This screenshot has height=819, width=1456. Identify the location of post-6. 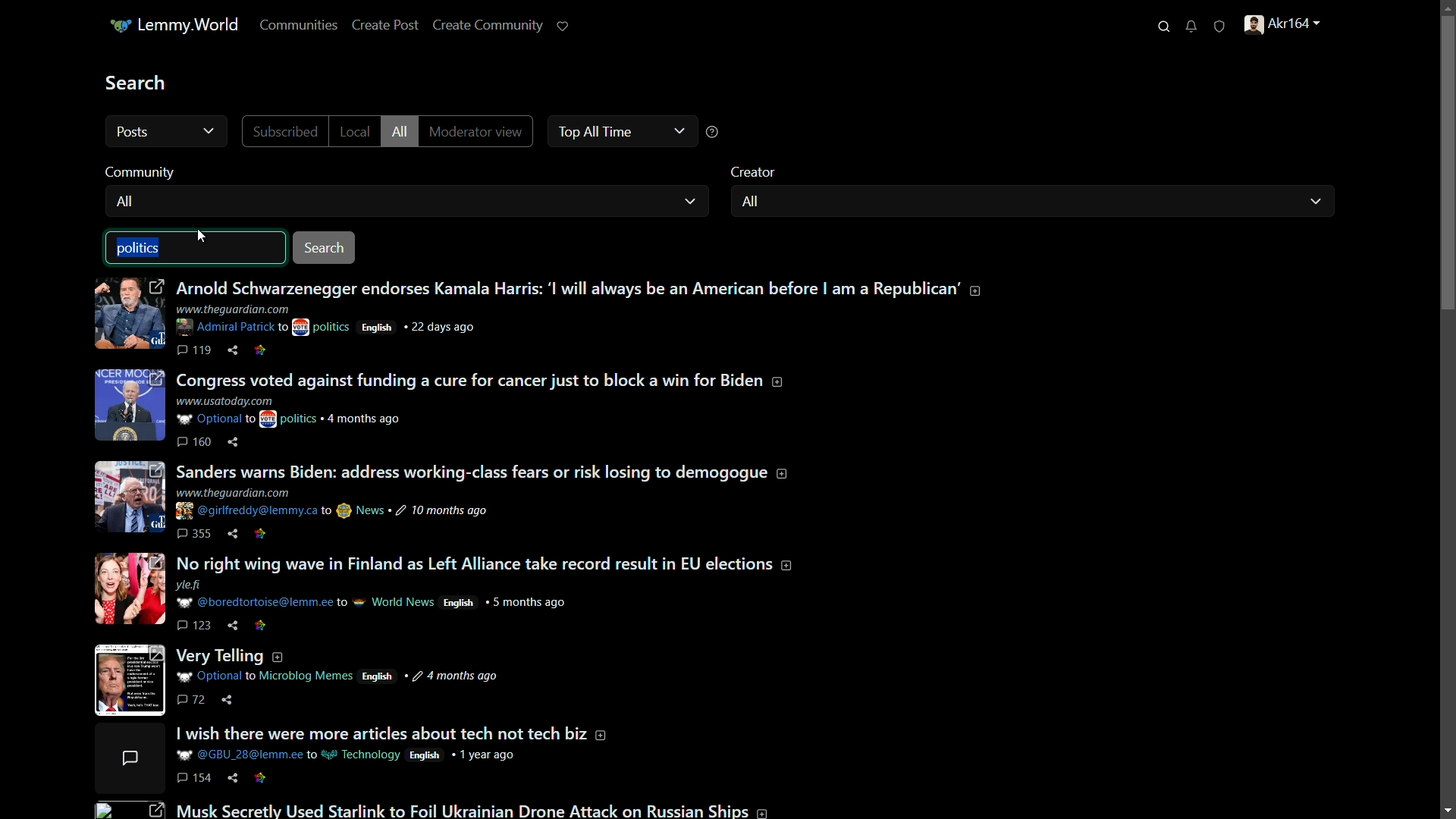
(349, 760).